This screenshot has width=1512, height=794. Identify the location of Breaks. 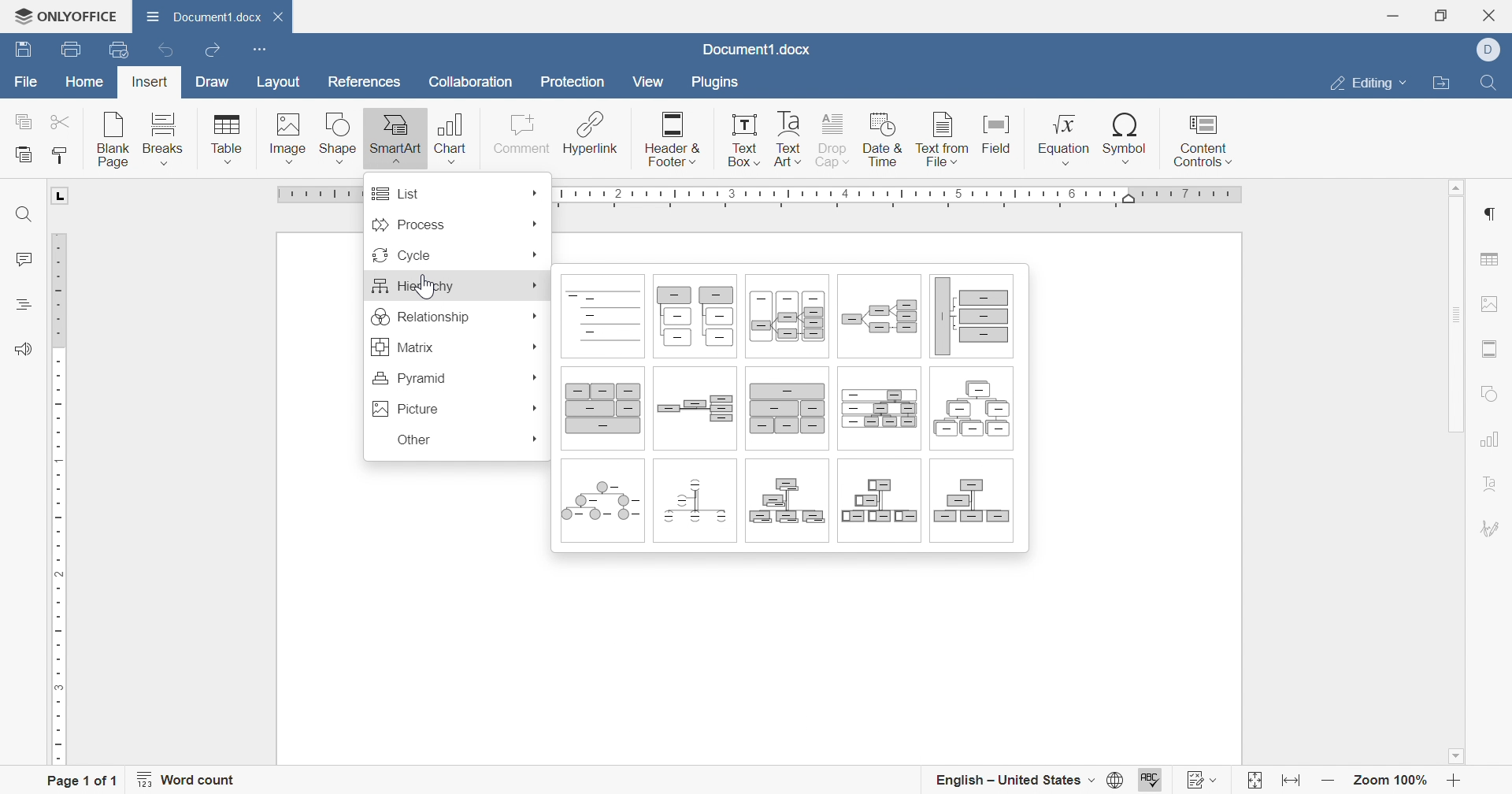
(166, 137).